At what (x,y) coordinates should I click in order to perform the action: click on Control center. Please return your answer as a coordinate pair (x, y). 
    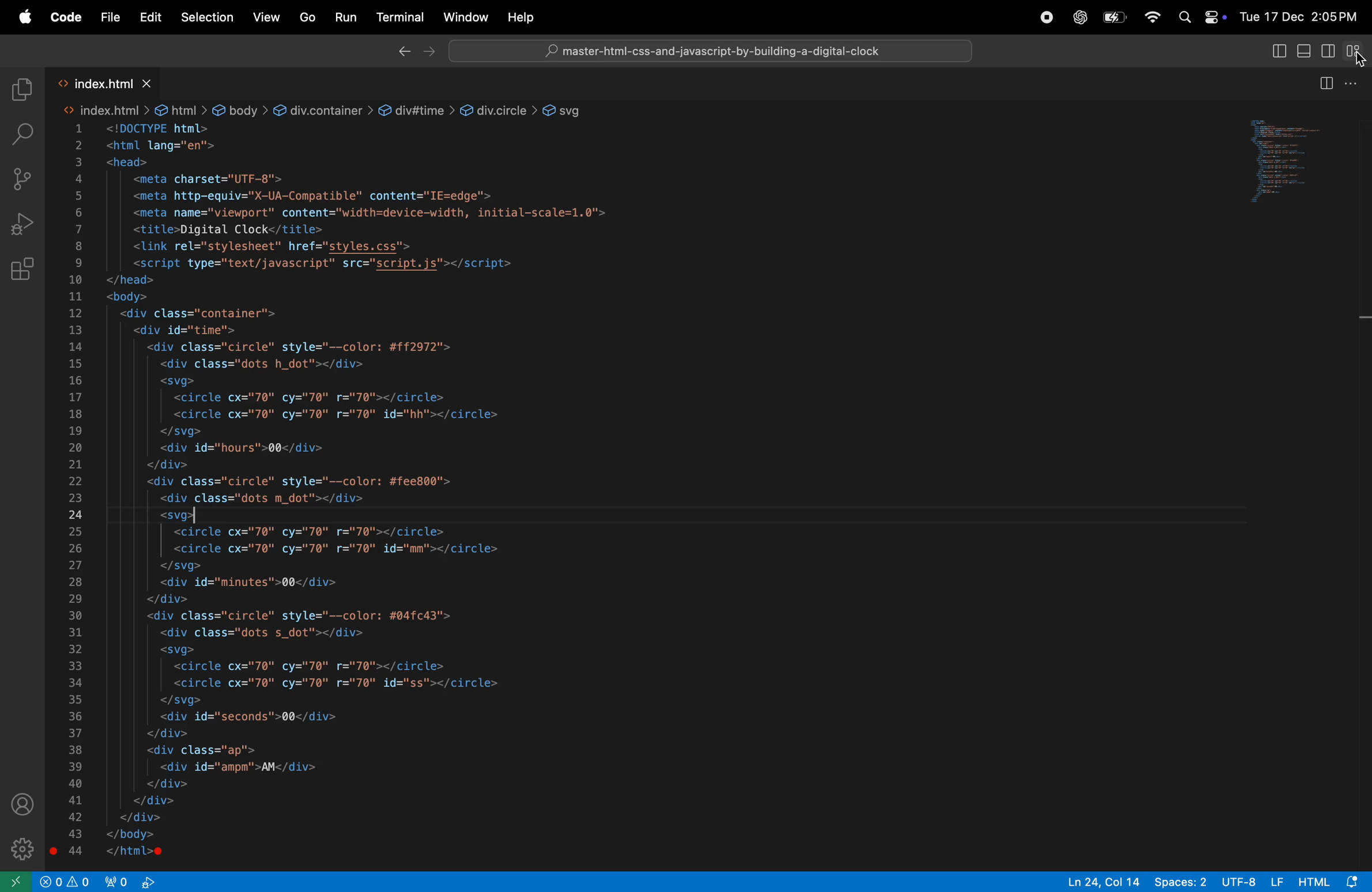
    Looking at the image, I should click on (1213, 17).